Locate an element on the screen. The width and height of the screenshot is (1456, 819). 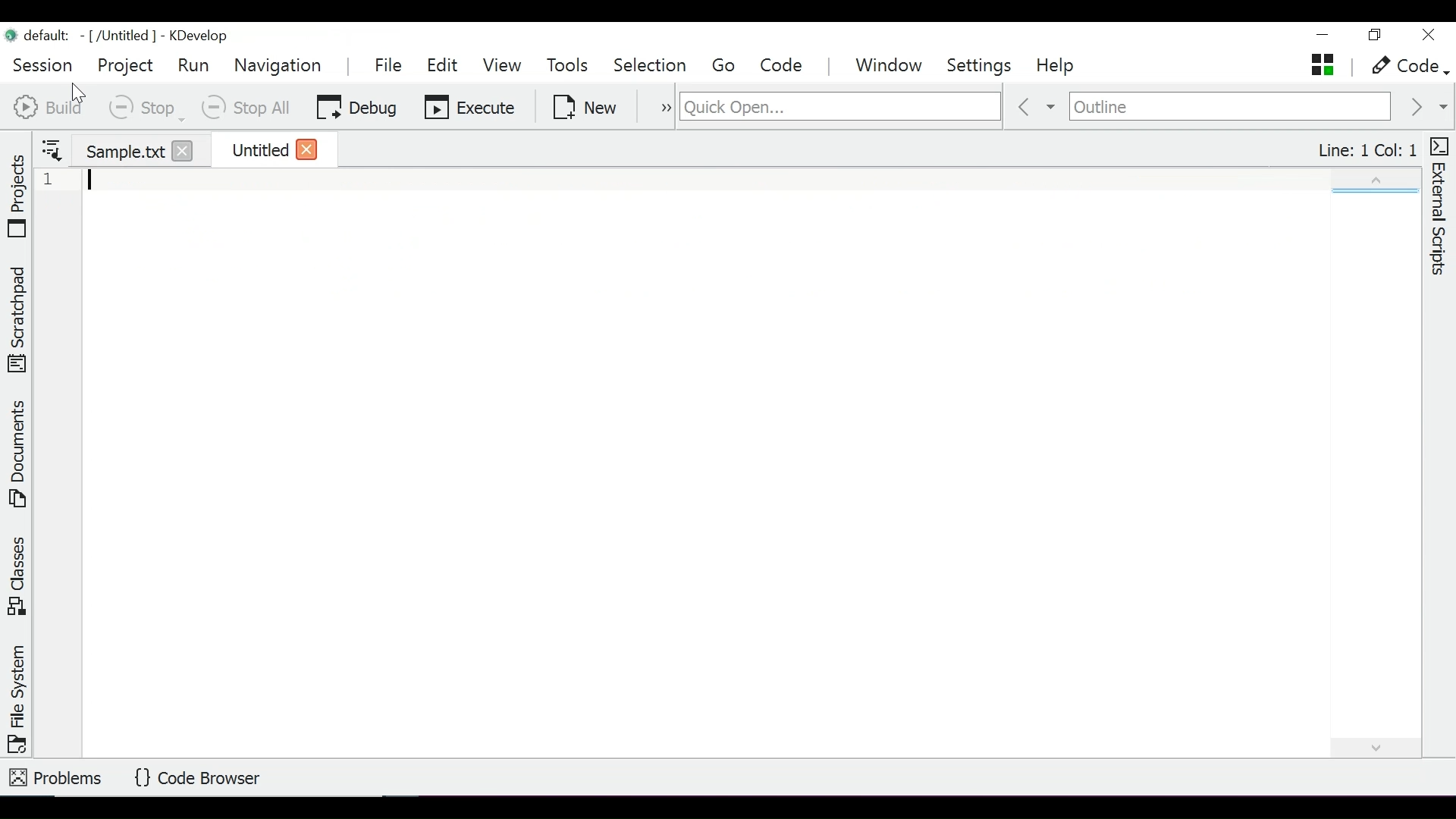
Problems is located at coordinates (56, 778).